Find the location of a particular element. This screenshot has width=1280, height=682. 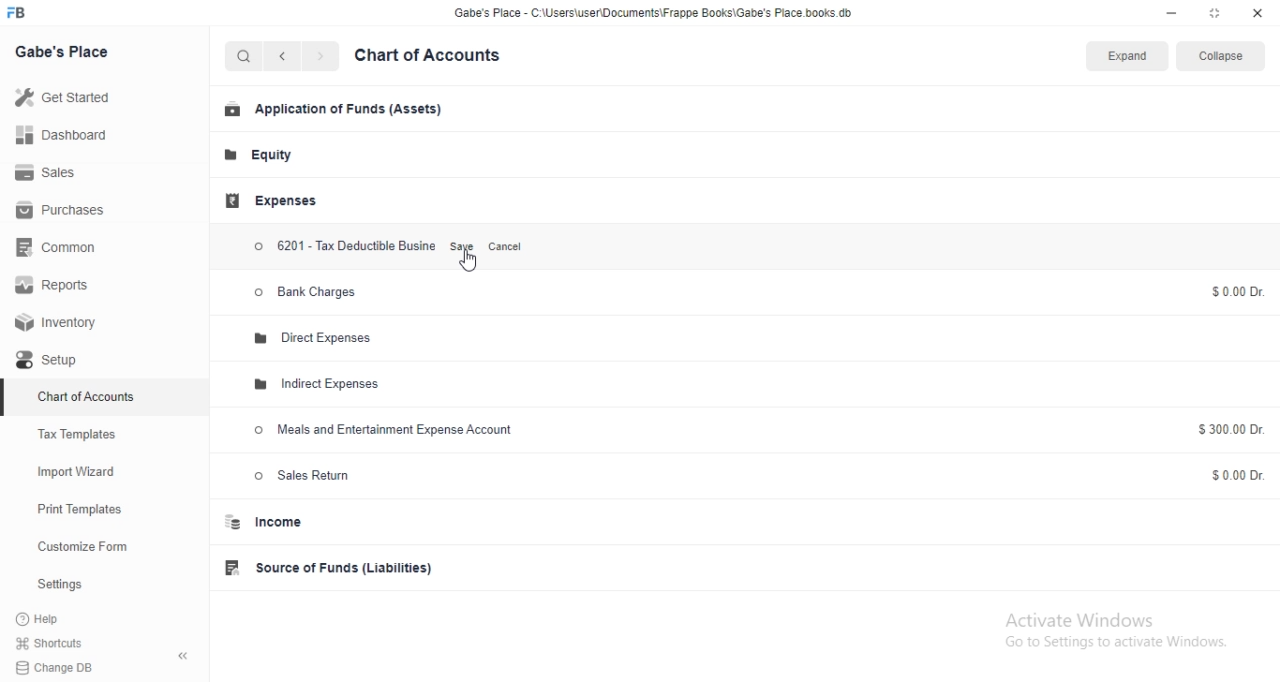

Equity is located at coordinates (269, 157).